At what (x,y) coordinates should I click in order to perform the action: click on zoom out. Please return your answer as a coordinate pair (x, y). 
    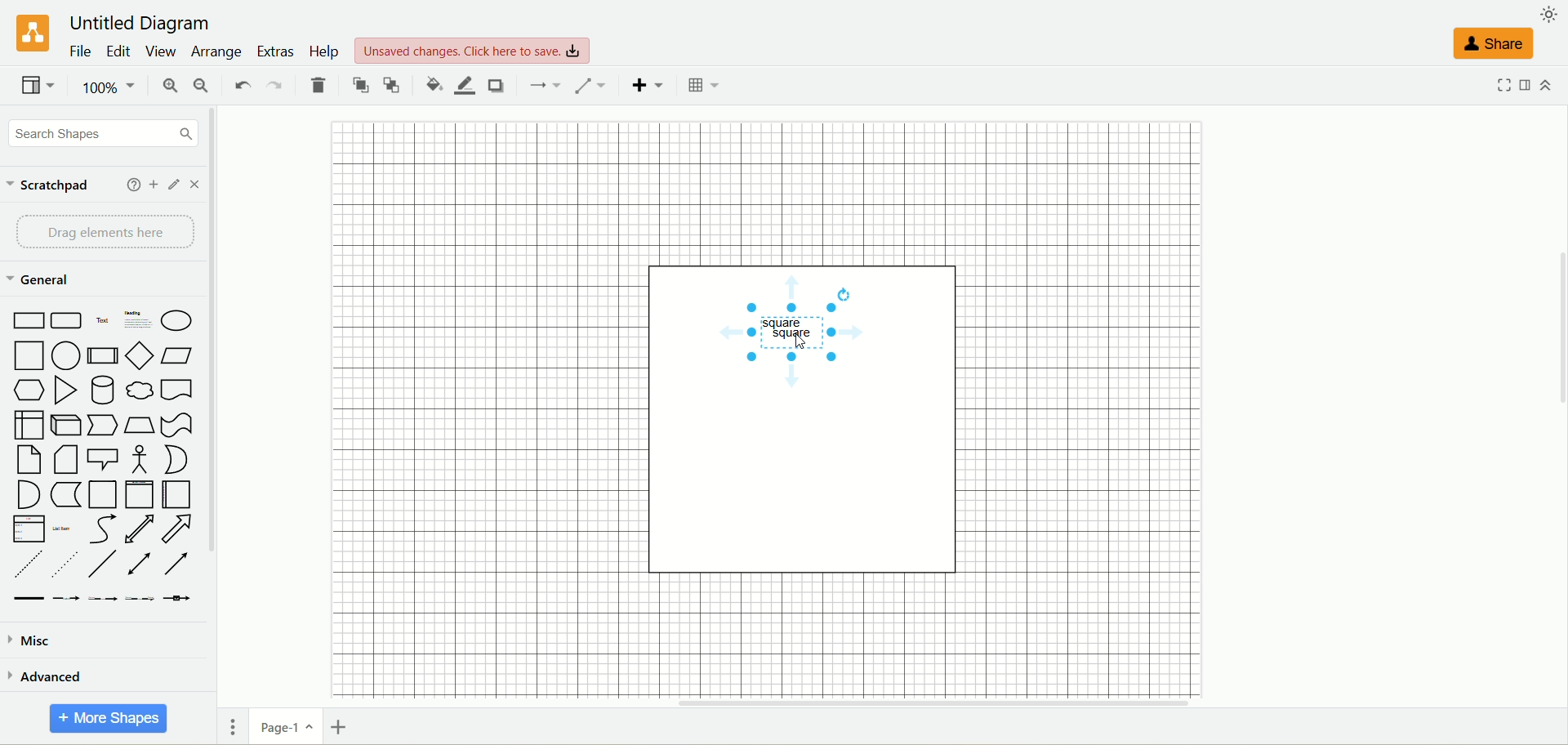
    Looking at the image, I should click on (203, 85).